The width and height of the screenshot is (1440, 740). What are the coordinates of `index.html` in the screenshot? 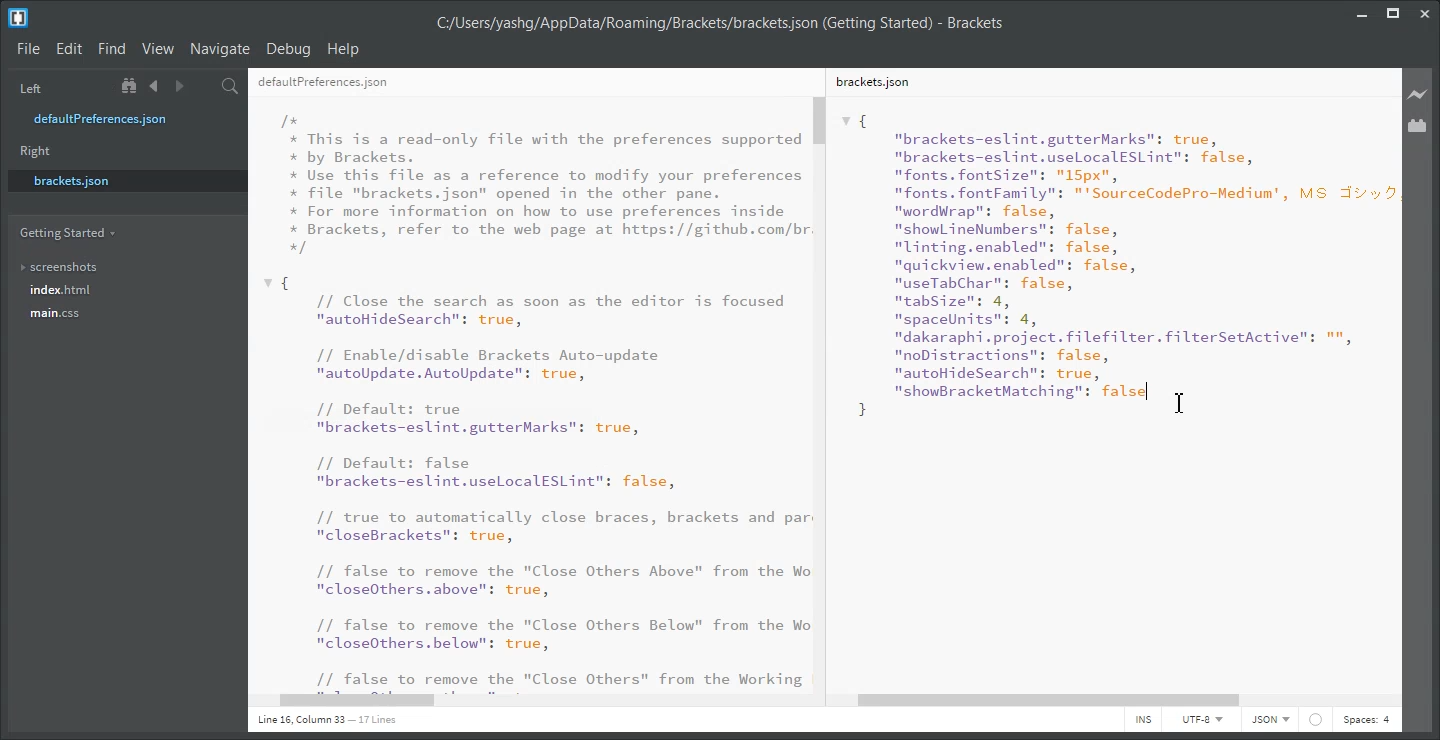 It's located at (61, 290).